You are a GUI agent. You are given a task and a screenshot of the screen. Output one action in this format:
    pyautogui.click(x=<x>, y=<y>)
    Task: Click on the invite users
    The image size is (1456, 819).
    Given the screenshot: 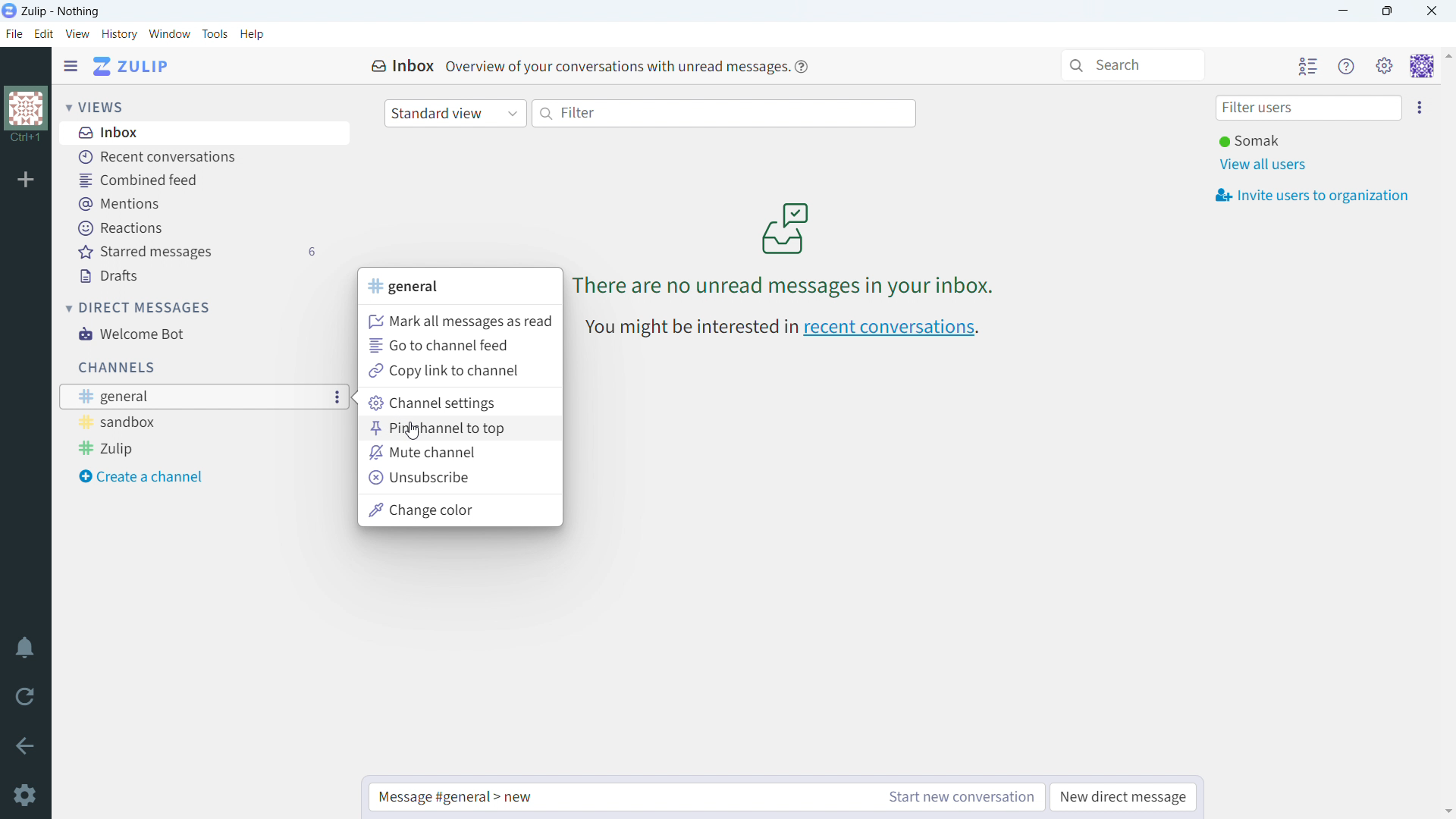 What is the action you would take?
    pyautogui.click(x=1312, y=195)
    